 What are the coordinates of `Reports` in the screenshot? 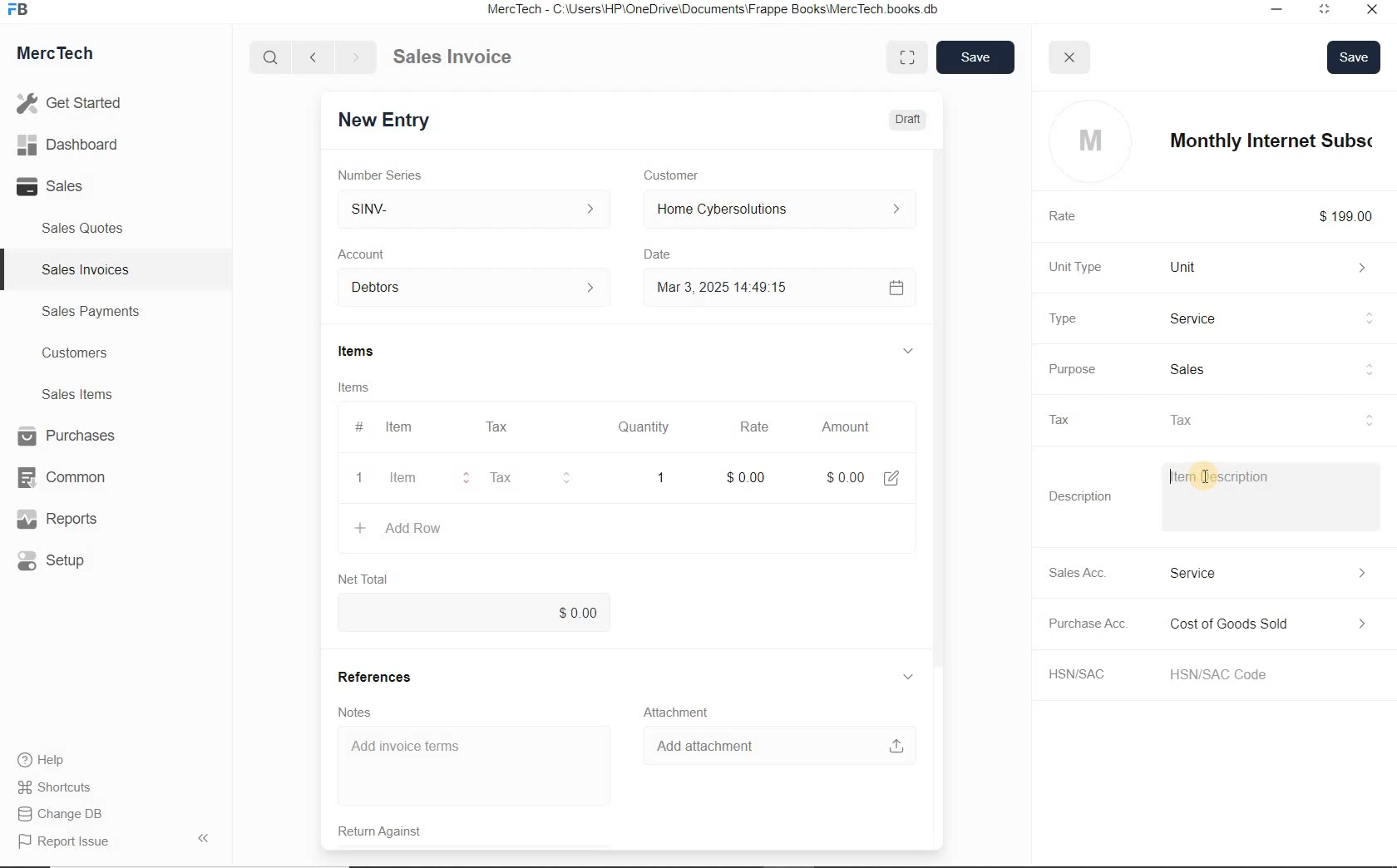 It's located at (70, 520).